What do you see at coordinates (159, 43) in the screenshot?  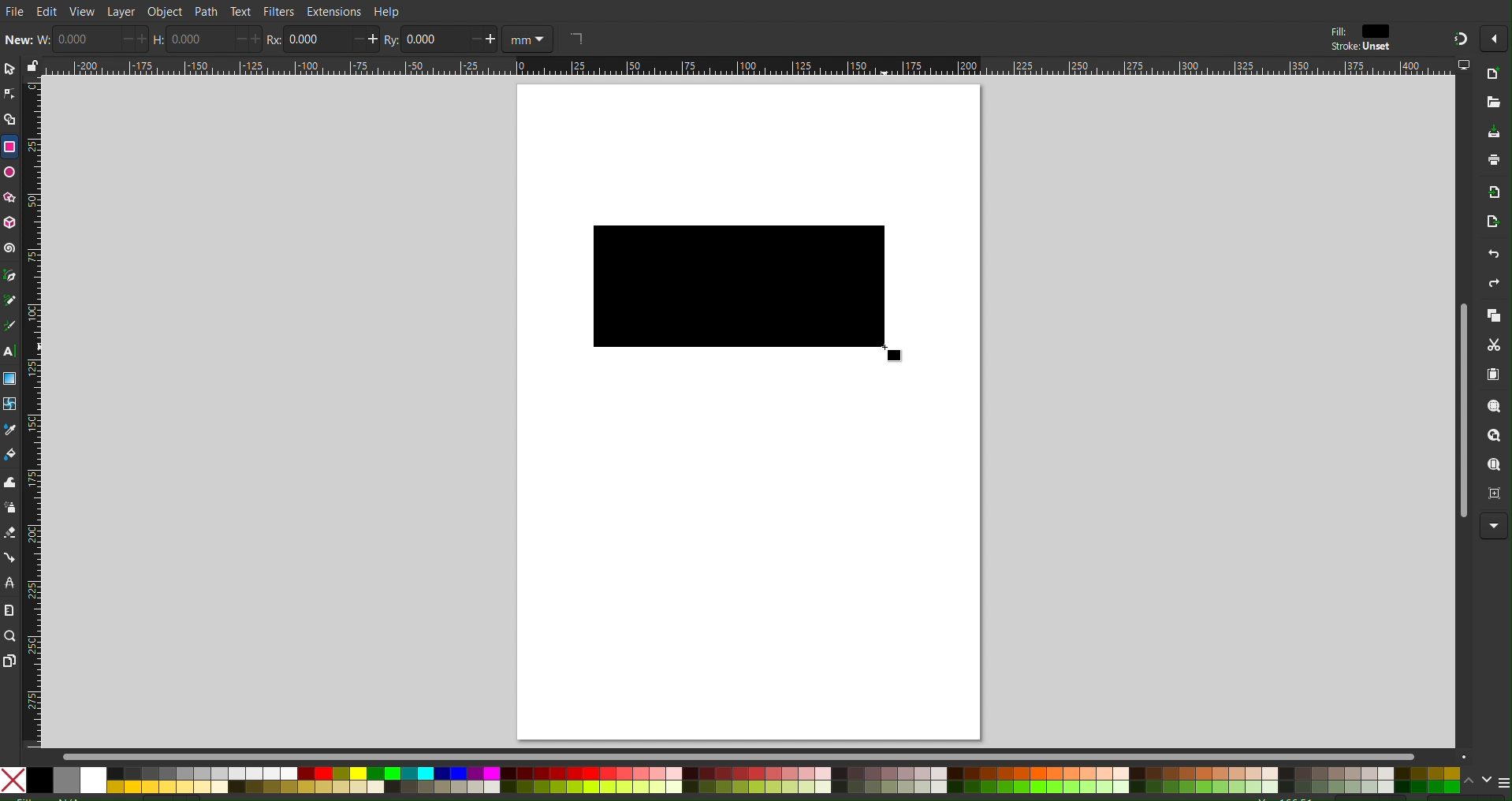 I see `H` at bounding box center [159, 43].